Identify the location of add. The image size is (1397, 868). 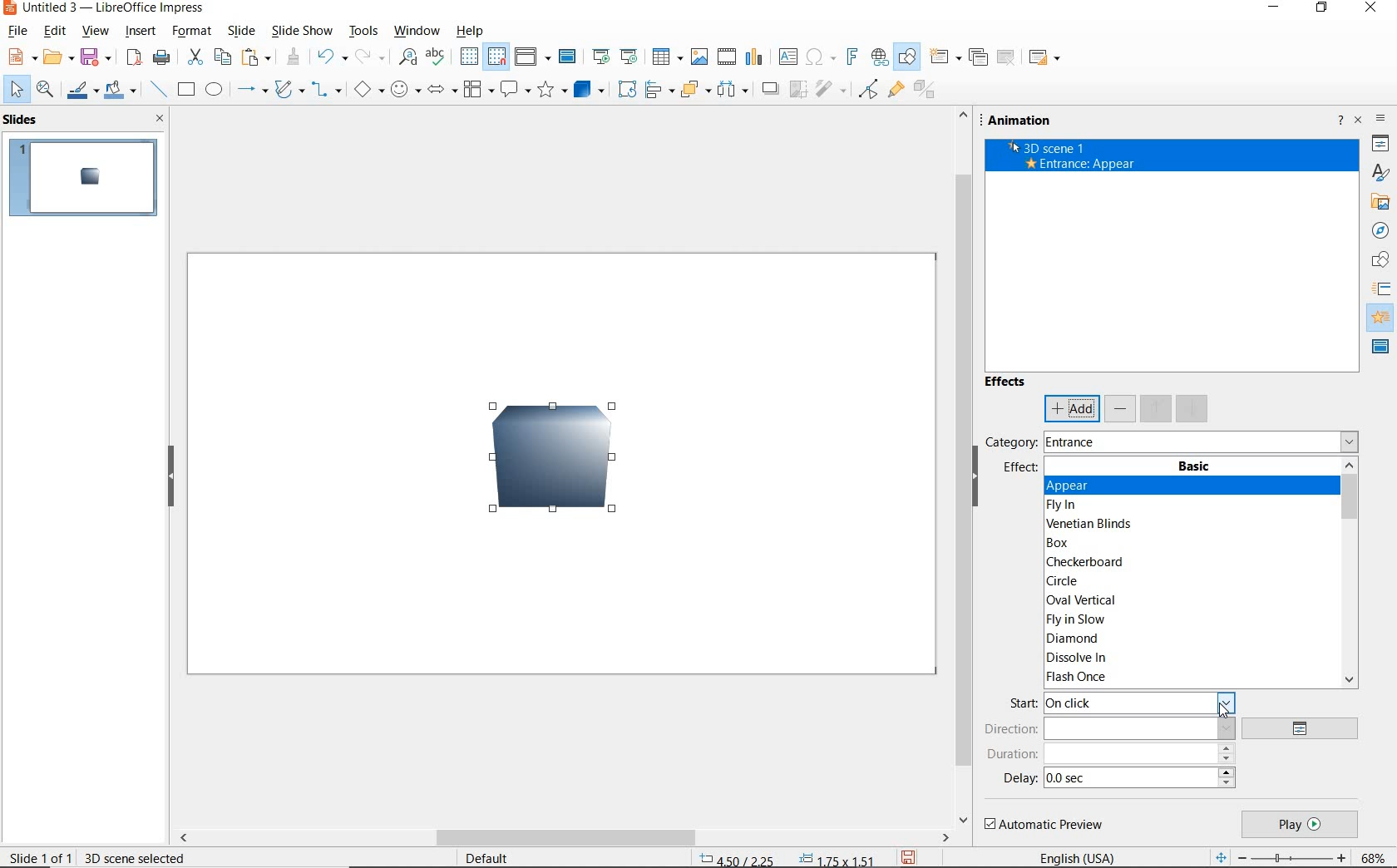
(1071, 409).